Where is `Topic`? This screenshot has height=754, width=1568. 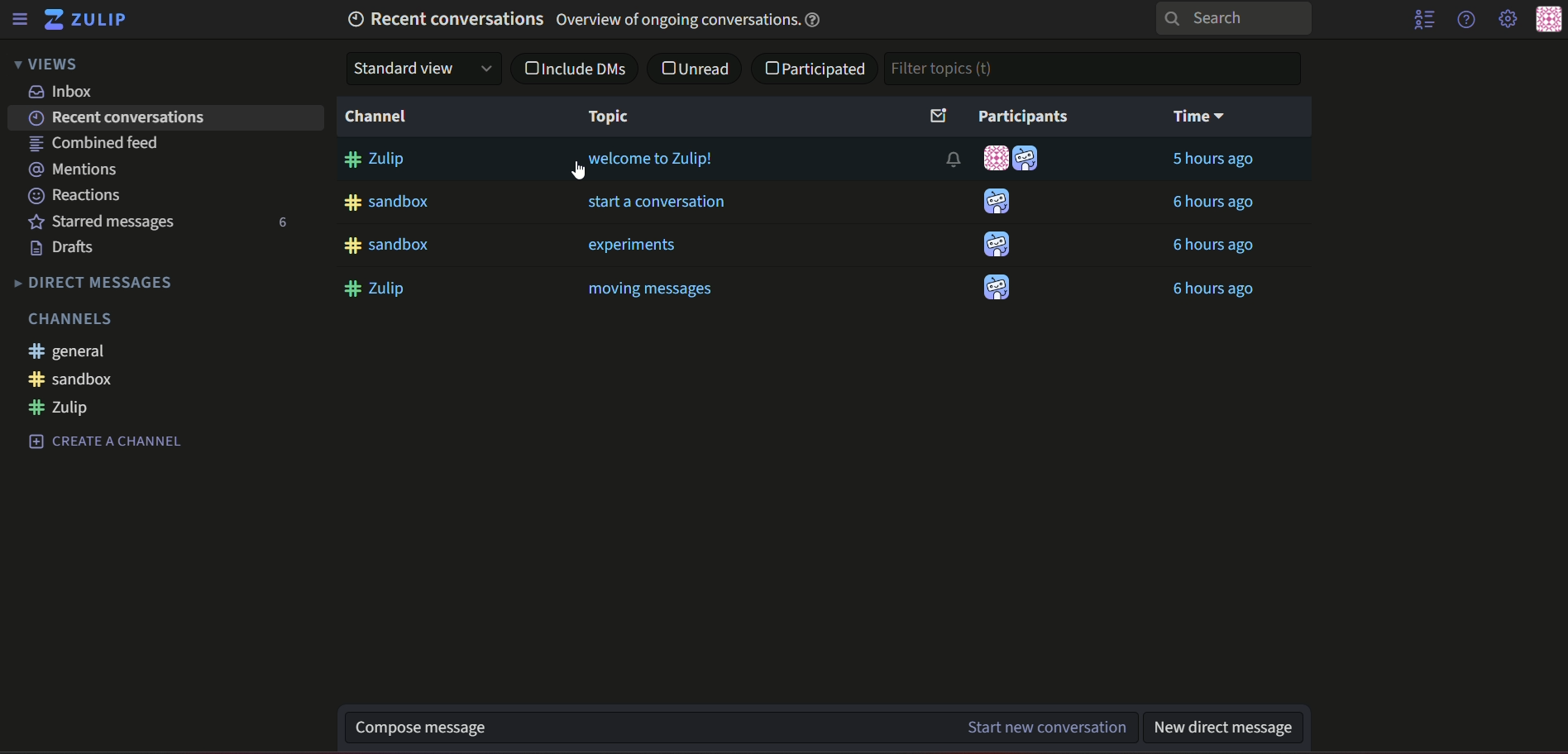 Topic is located at coordinates (609, 117).